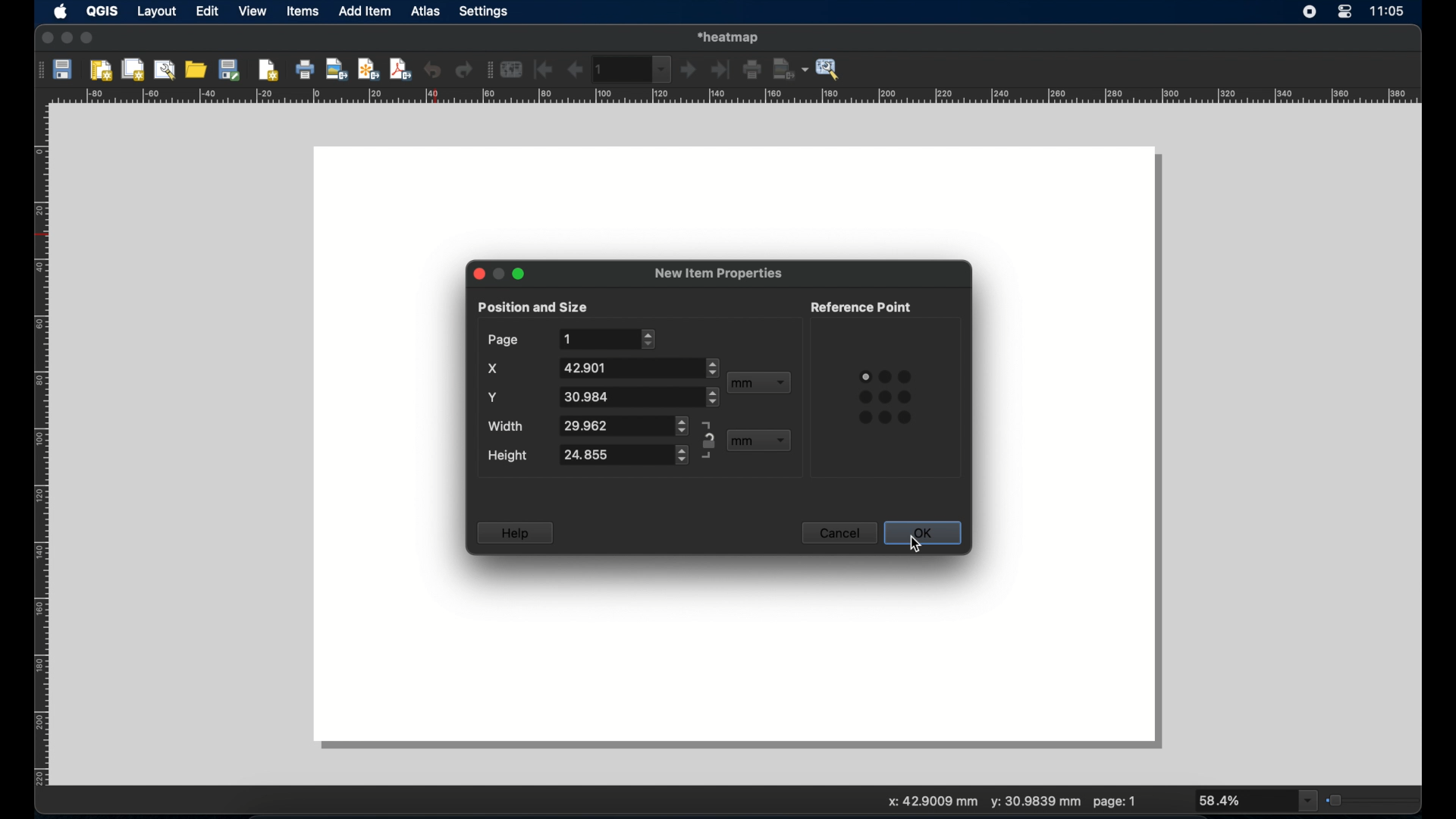  Describe the element at coordinates (485, 12) in the screenshot. I see `settings` at that location.